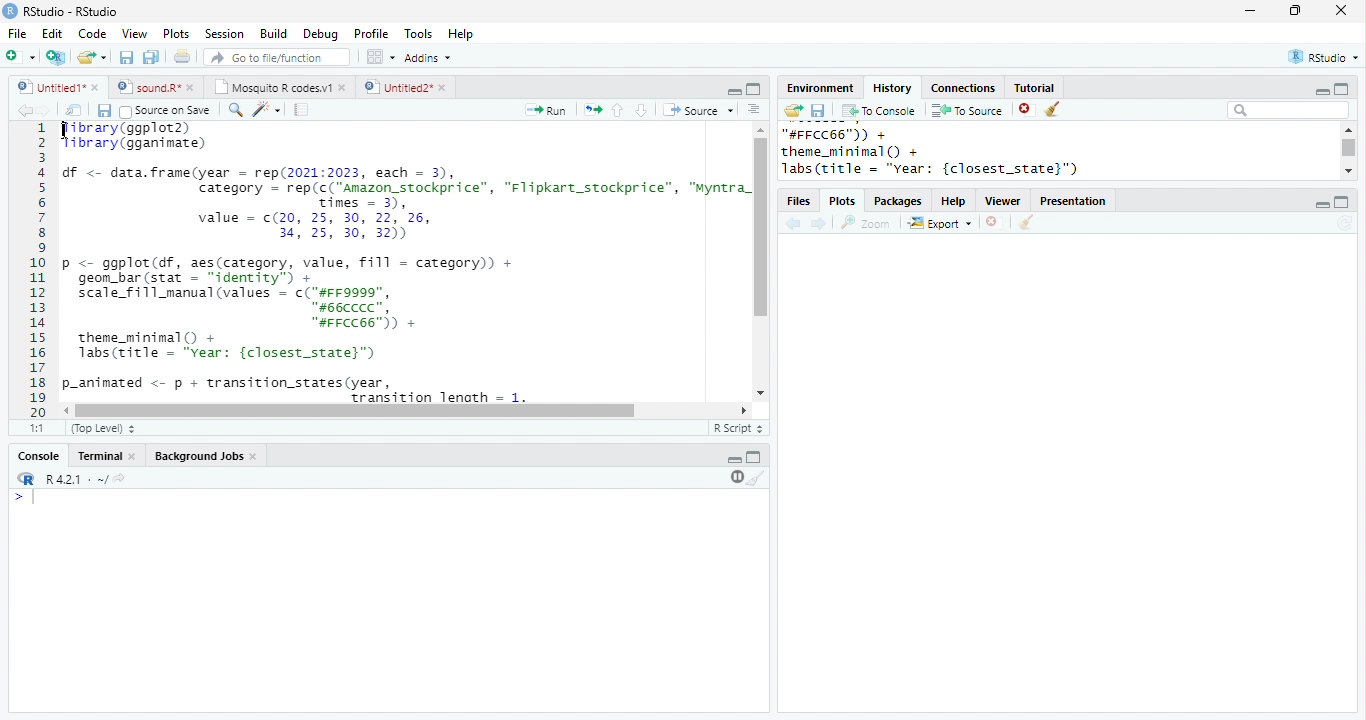 This screenshot has height=720, width=1366. Describe the element at coordinates (93, 33) in the screenshot. I see `Code` at that location.